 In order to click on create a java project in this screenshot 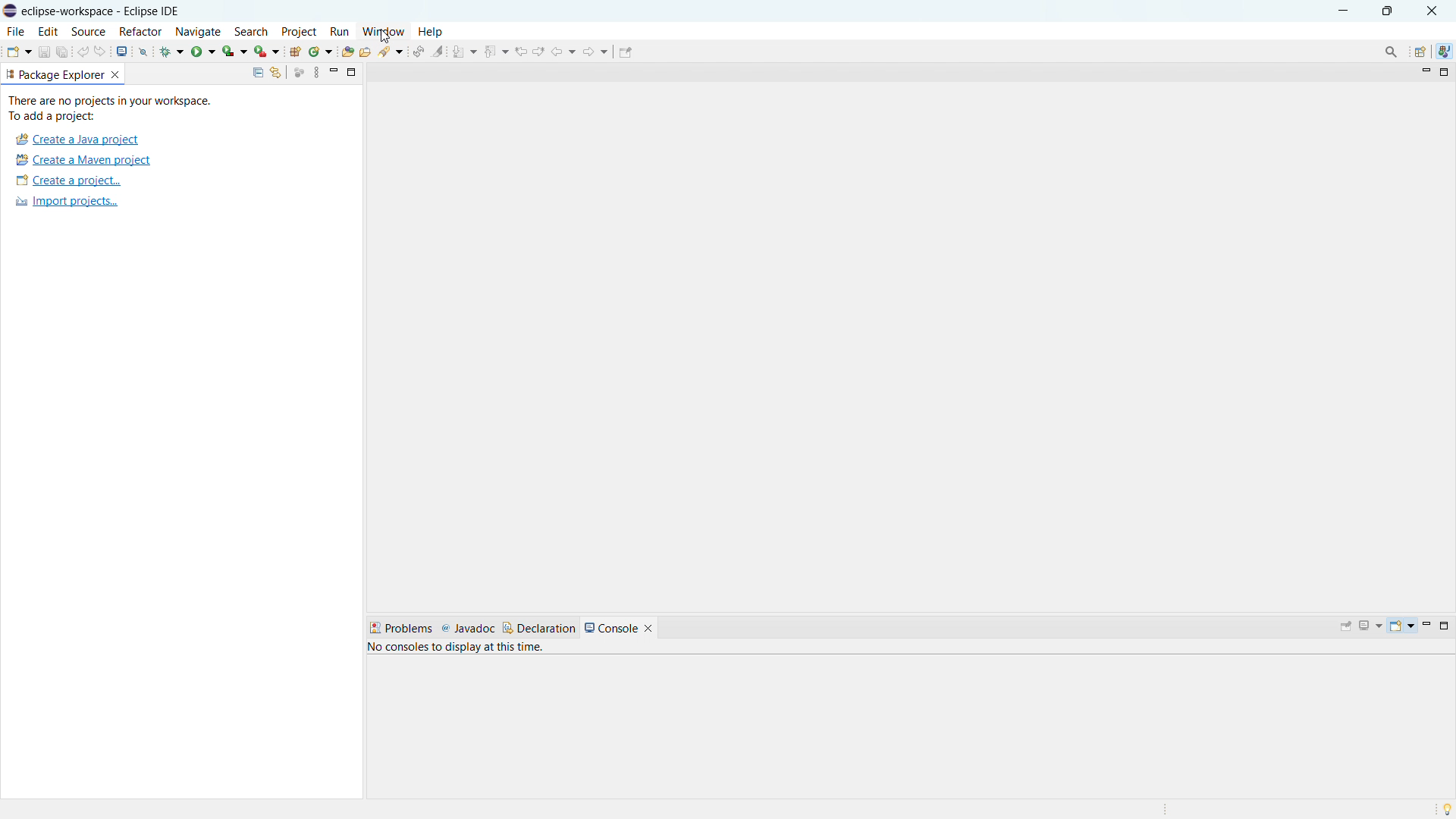, I will do `click(77, 140)`.